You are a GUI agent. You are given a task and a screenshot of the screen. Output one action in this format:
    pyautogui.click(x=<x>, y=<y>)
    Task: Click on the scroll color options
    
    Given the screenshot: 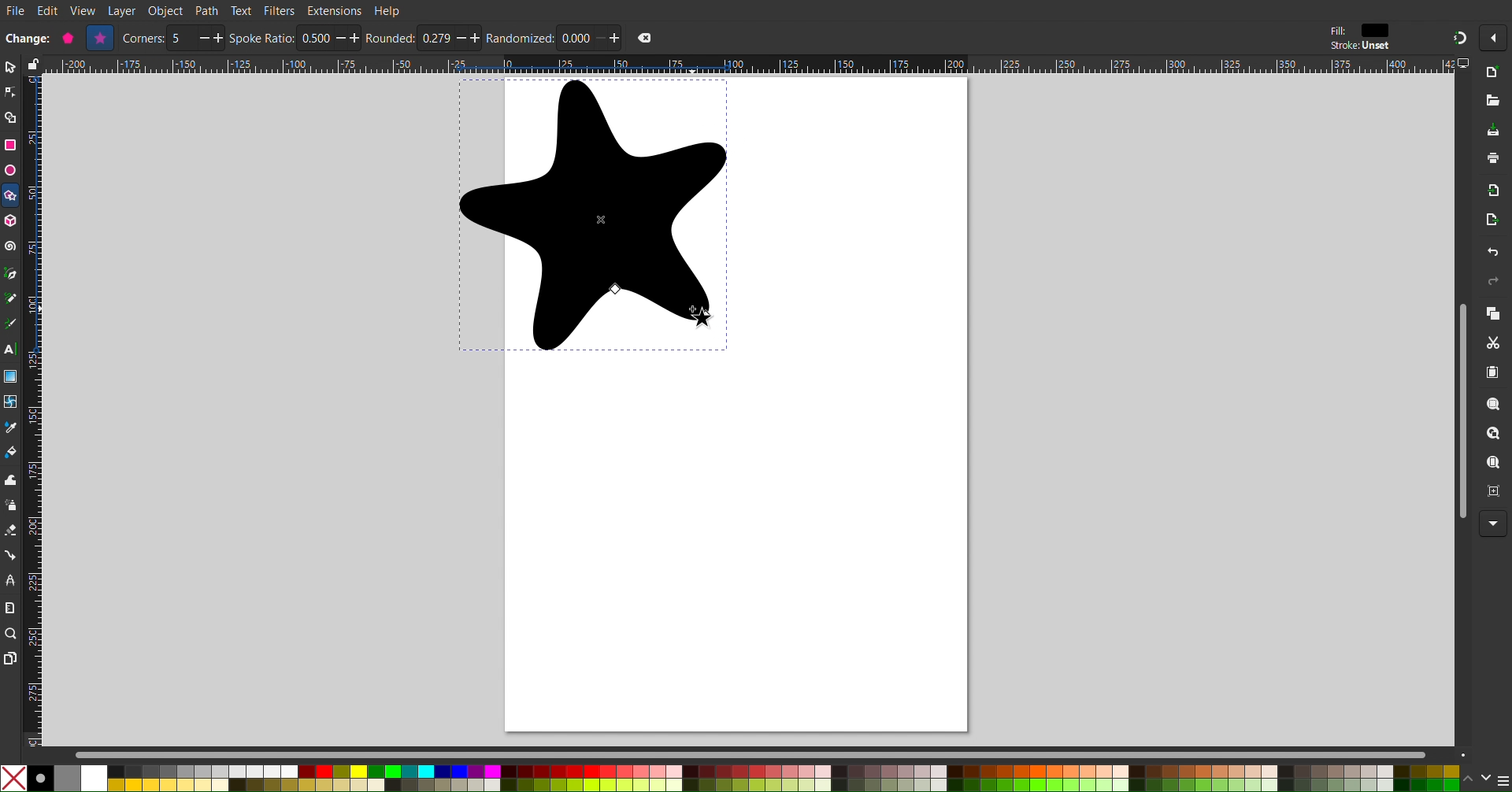 What is the action you would take?
    pyautogui.click(x=1476, y=778)
    